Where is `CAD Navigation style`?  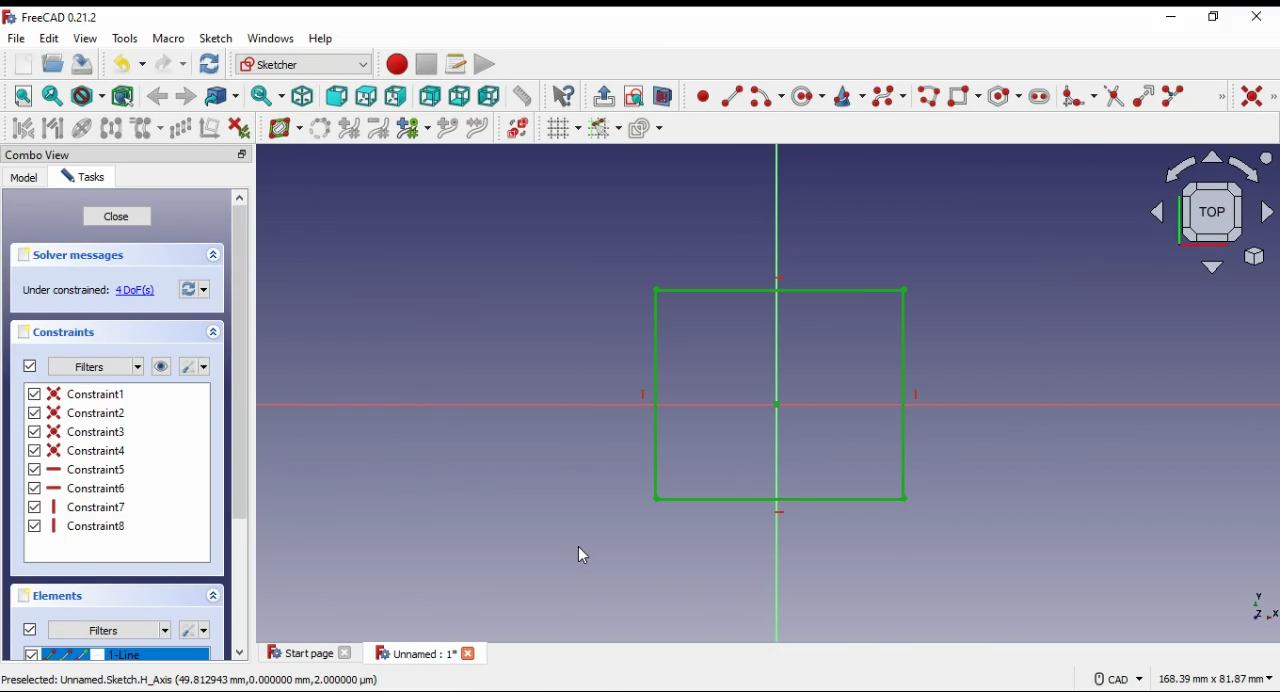
CAD Navigation style is located at coordinates (1117, 679).